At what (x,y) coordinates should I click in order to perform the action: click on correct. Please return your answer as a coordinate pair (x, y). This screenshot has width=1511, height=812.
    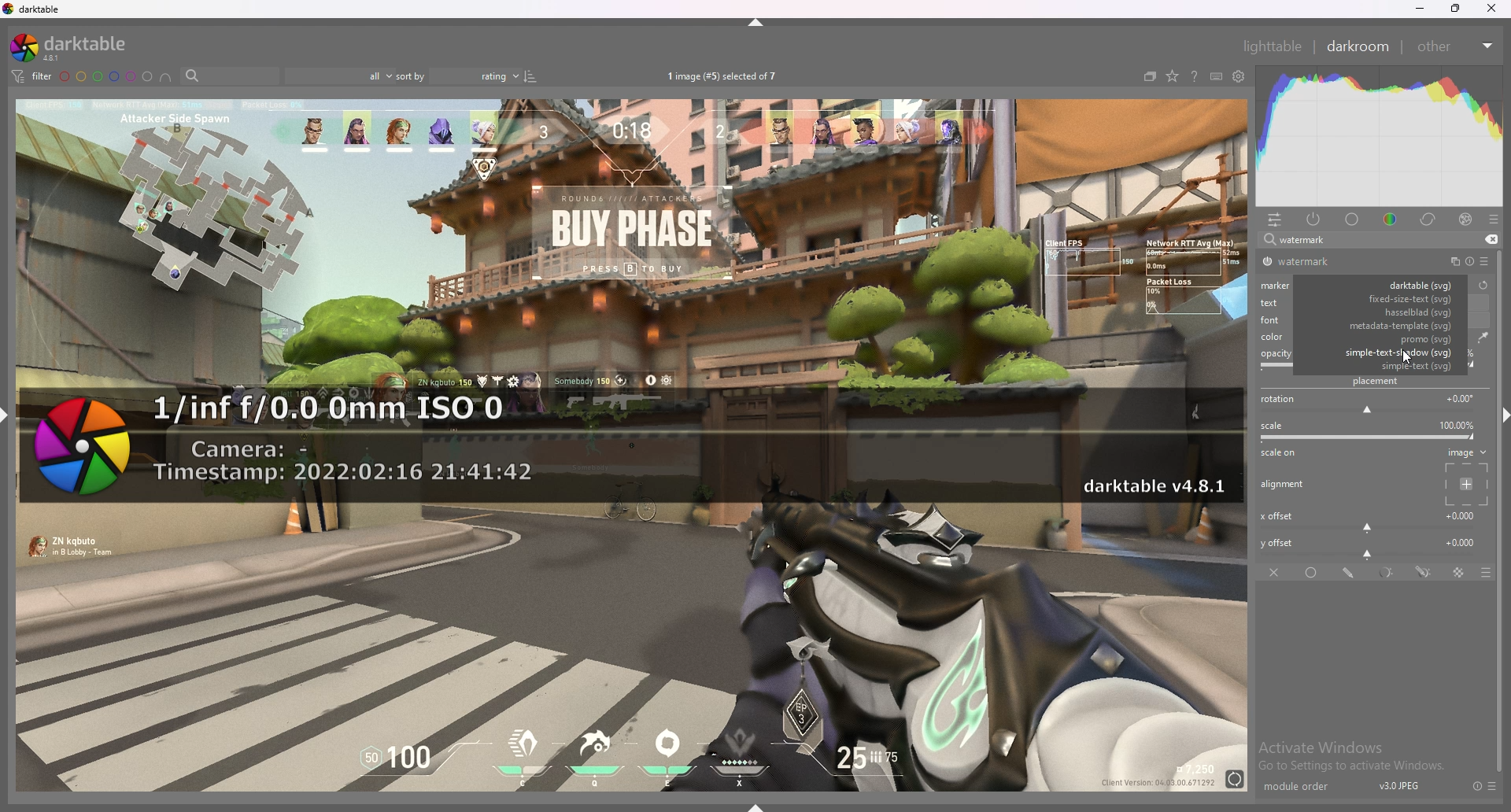
    Looking at the image, I should click on (1429, 219).